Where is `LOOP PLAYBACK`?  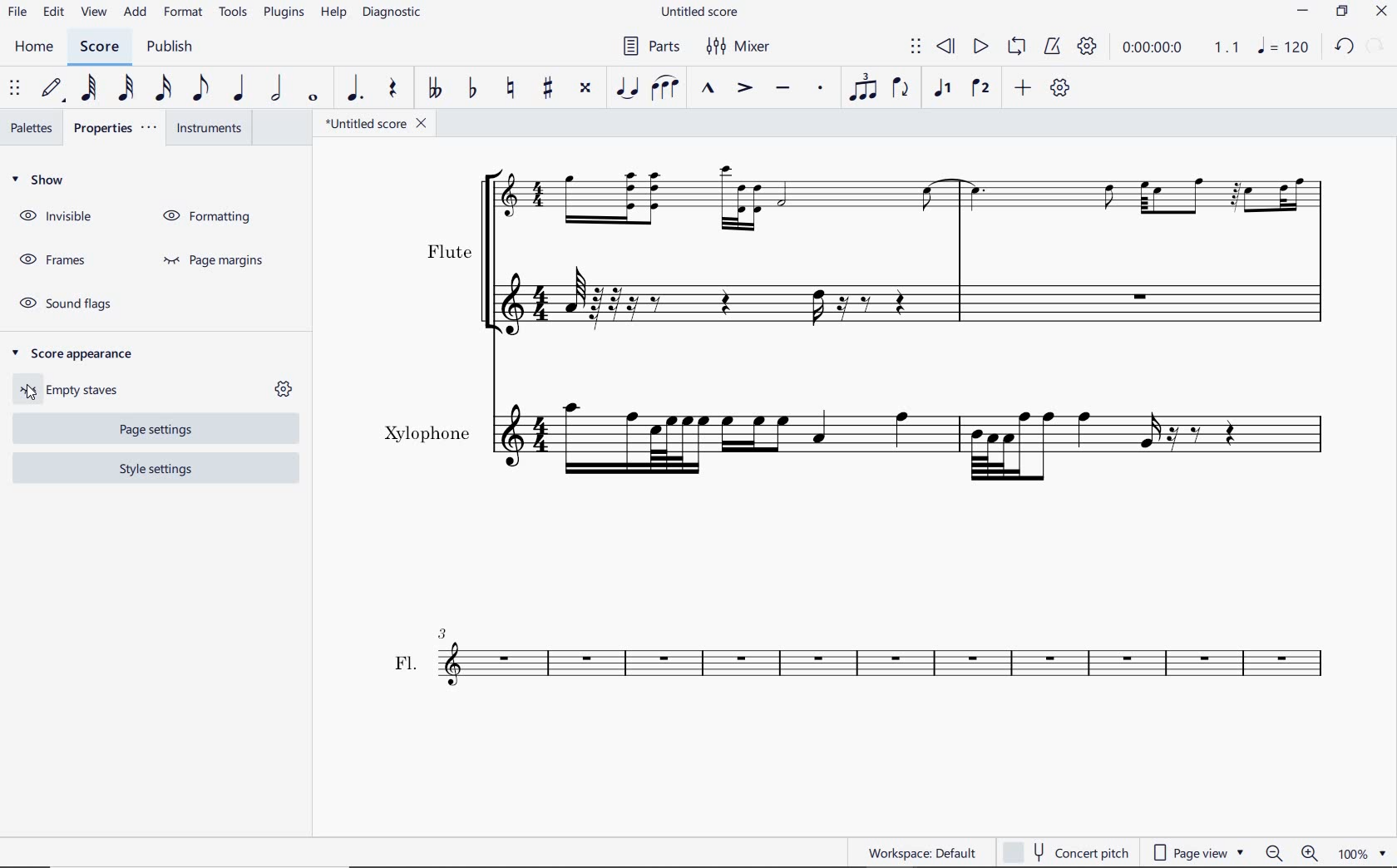
LOOP PLAYBACK is located at coordinates (1017, 47).